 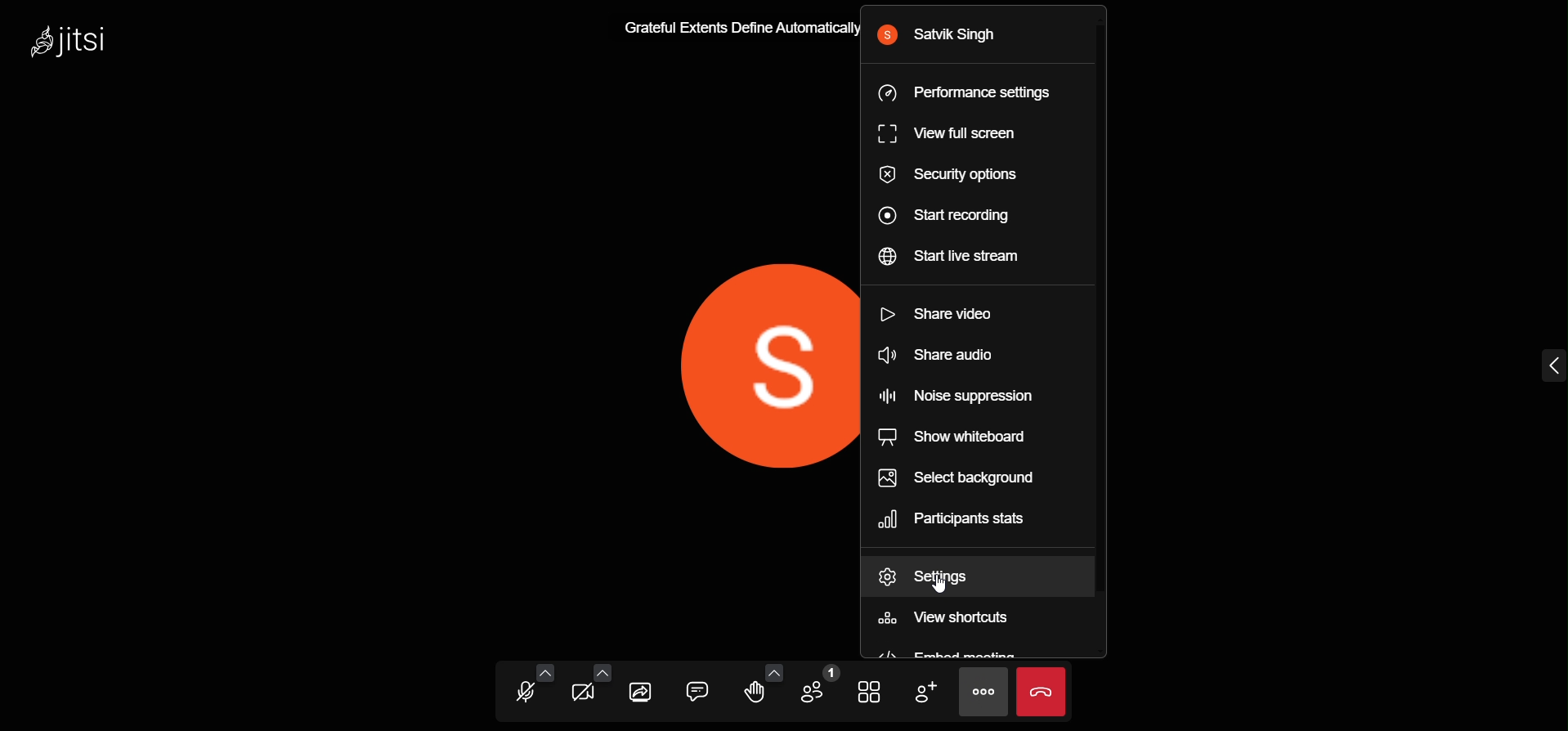 What do you see at coordinates (525, 697) in the screenshot?
I see `microphone` at bounding box center [525, 697].